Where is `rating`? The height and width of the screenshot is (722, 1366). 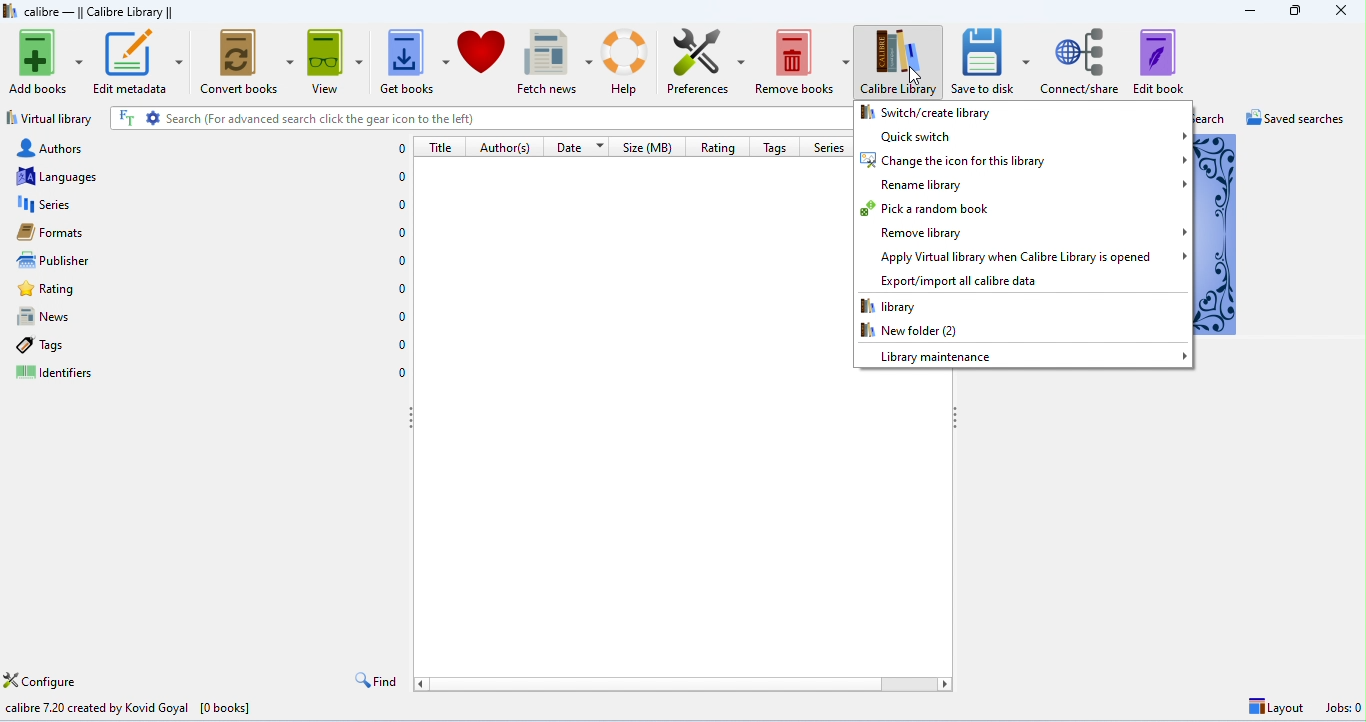 rating is located at coordinates (210, 289).